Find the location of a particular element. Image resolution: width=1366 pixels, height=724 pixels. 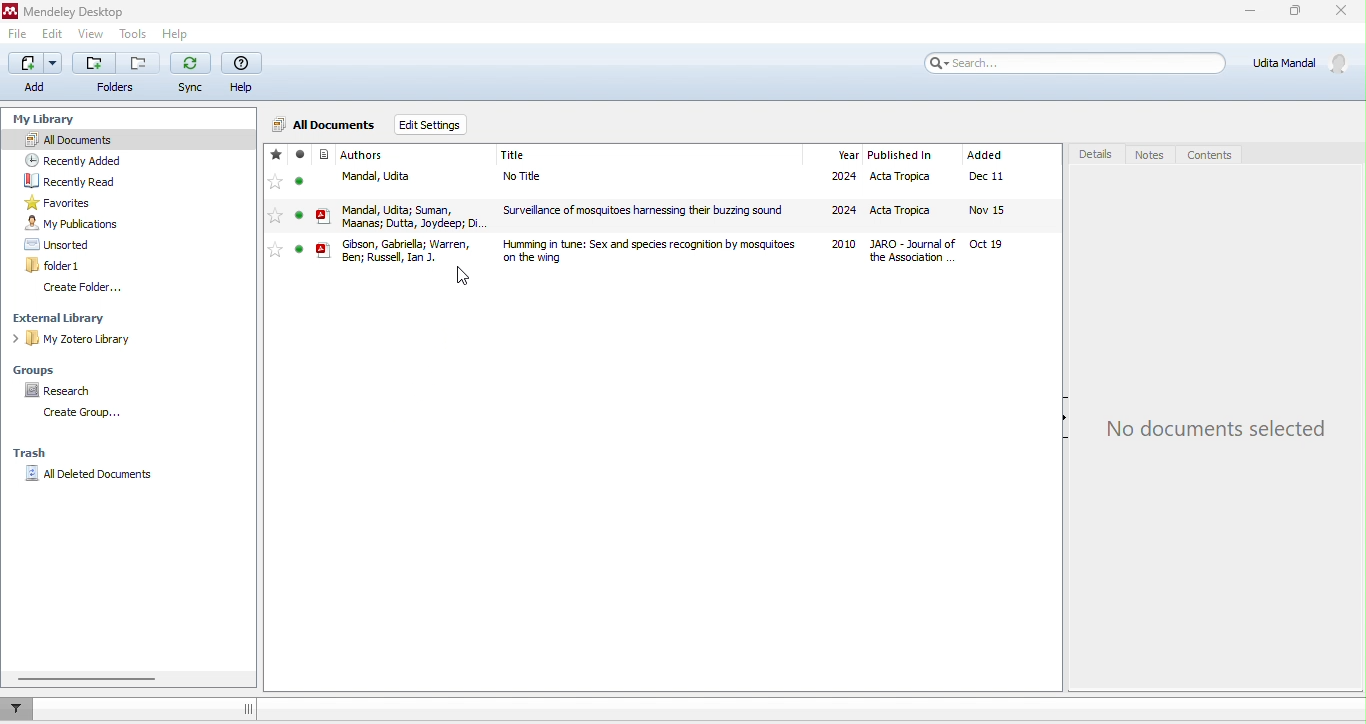

help is located at coordinates (245, 74).